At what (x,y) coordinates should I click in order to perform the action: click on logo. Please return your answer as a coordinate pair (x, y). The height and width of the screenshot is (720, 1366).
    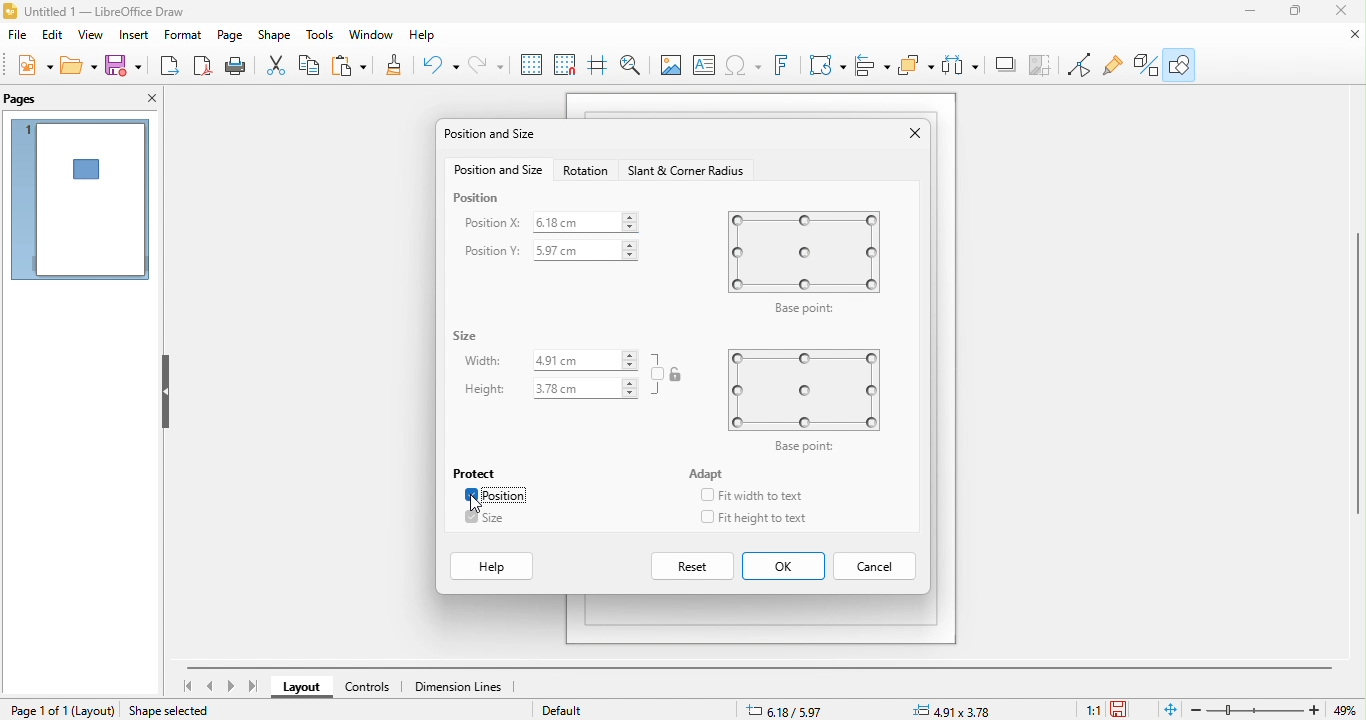
    Looking at the image, I should click on (11, 11).